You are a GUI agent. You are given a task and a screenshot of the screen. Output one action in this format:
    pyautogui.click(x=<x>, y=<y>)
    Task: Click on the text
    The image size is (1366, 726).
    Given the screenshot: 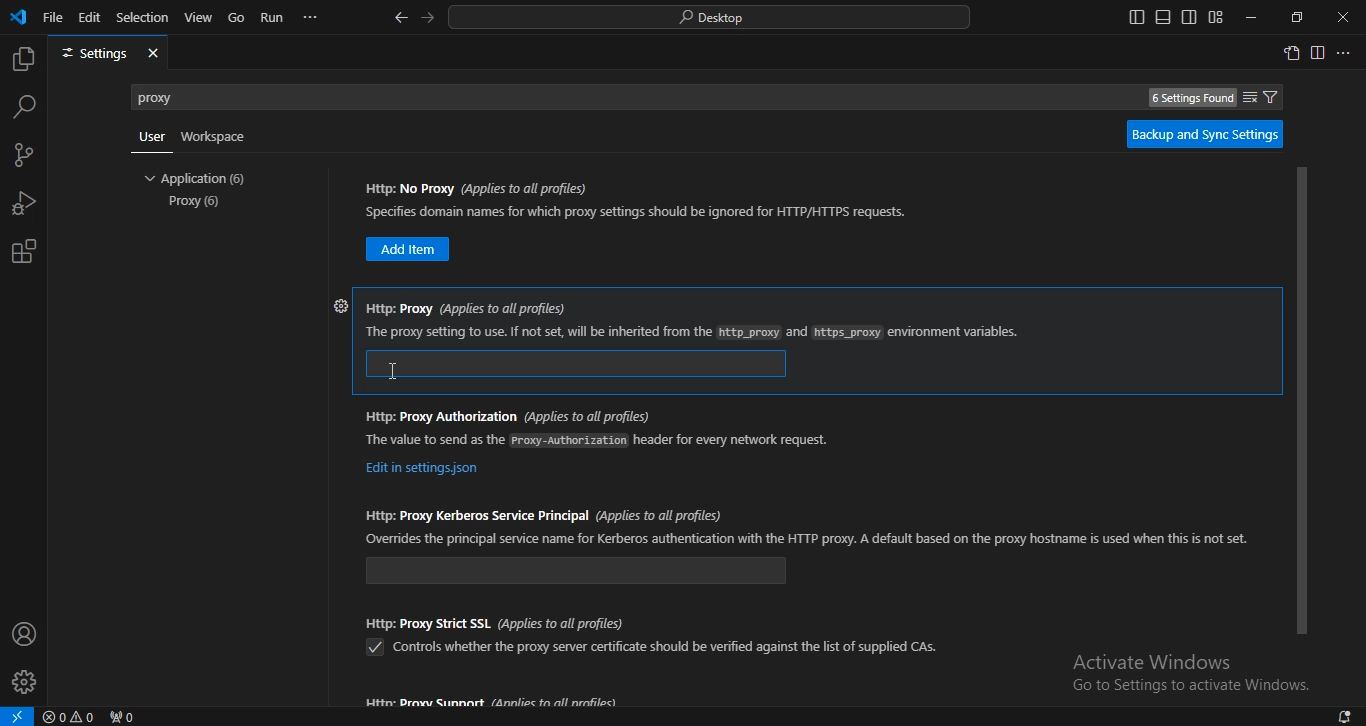 What is the action you would take?
    pyautogui.click(x=1154, y=661)
    